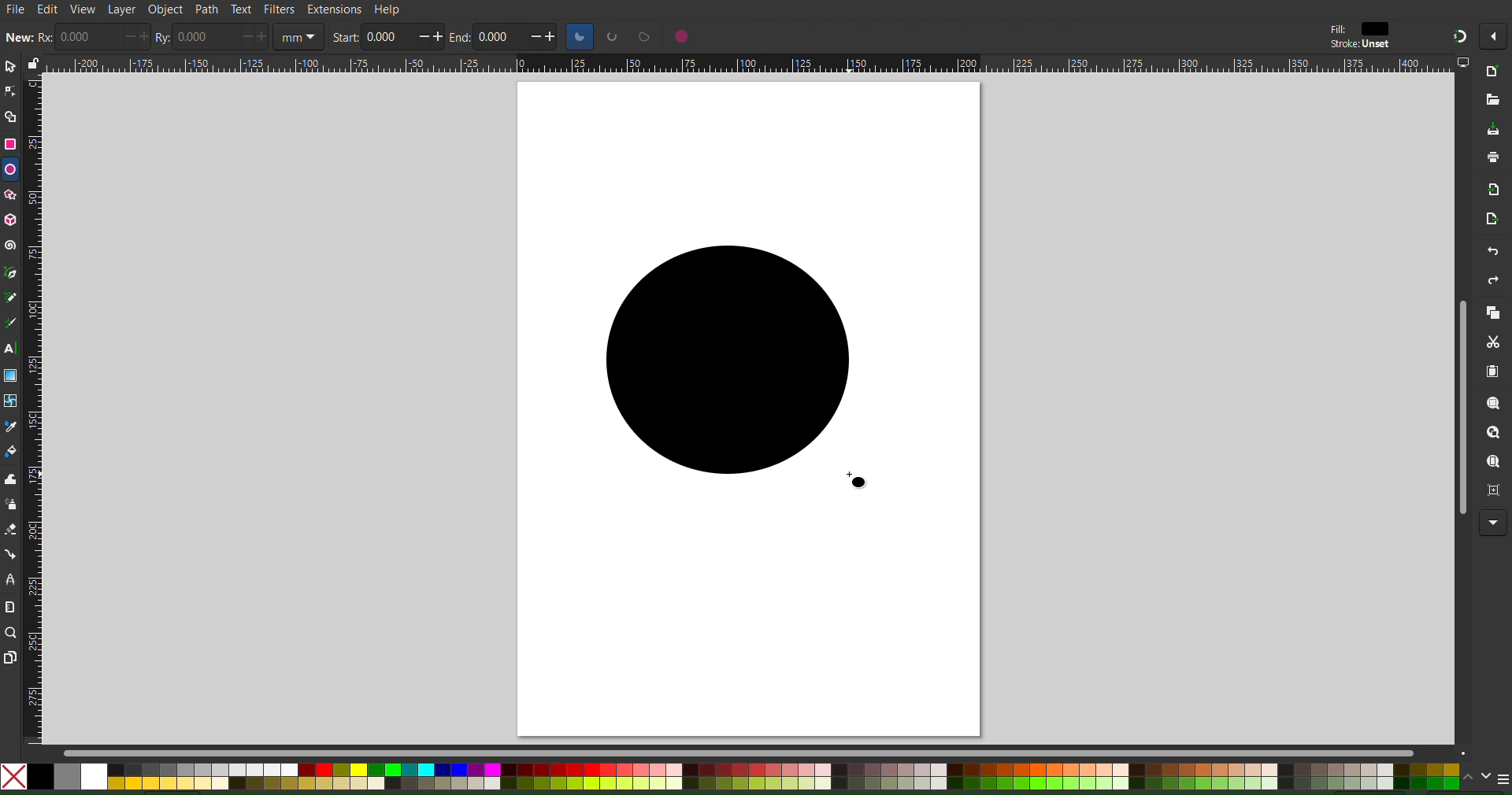 The height and width of the screenshot is (795, 1512). Describe the element at coordinates (749, 65) in the screenshot. I see `Horizontal Ruler` at that location.